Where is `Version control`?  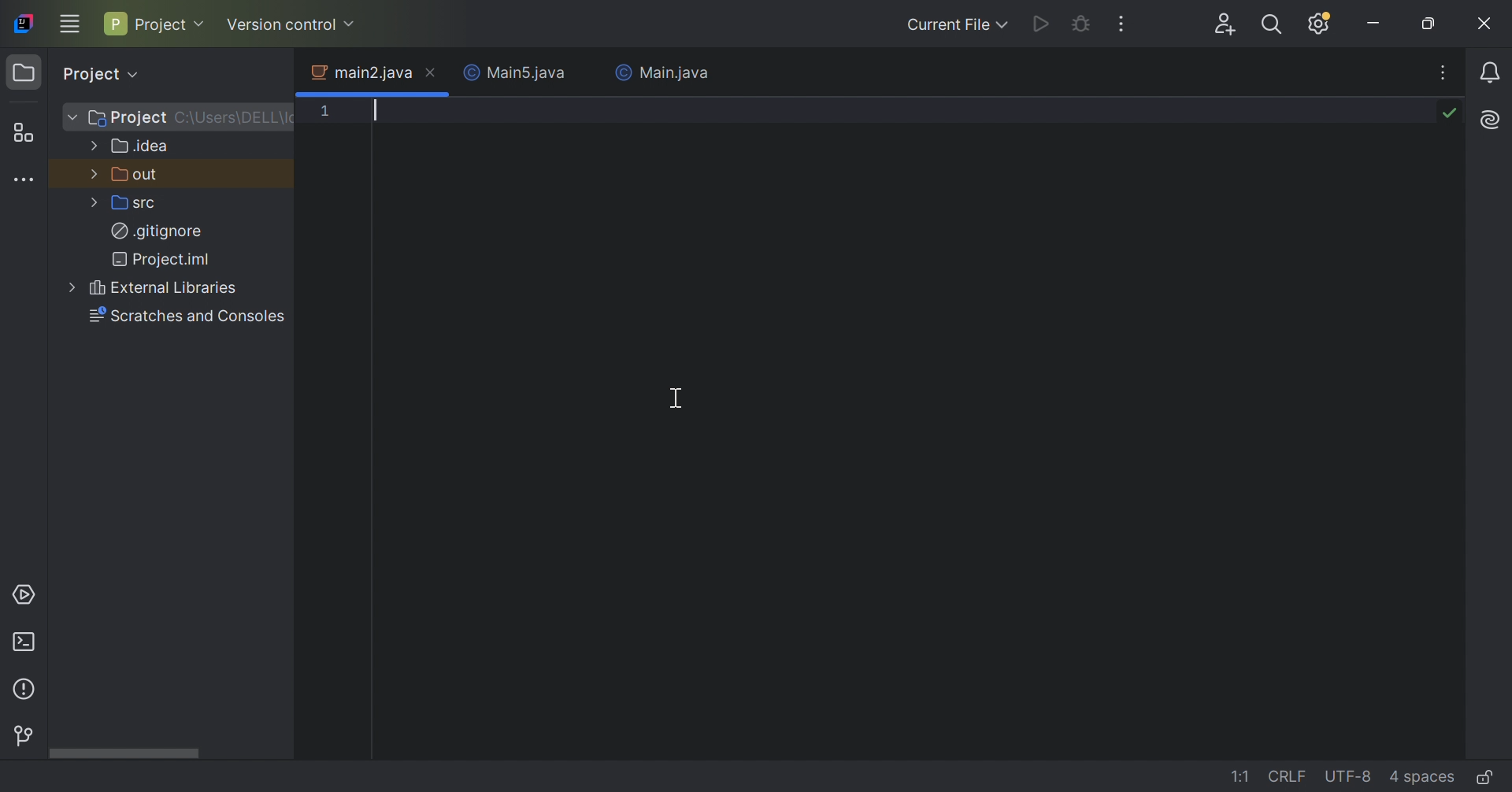 Version control is located at coordinates (22, 732).